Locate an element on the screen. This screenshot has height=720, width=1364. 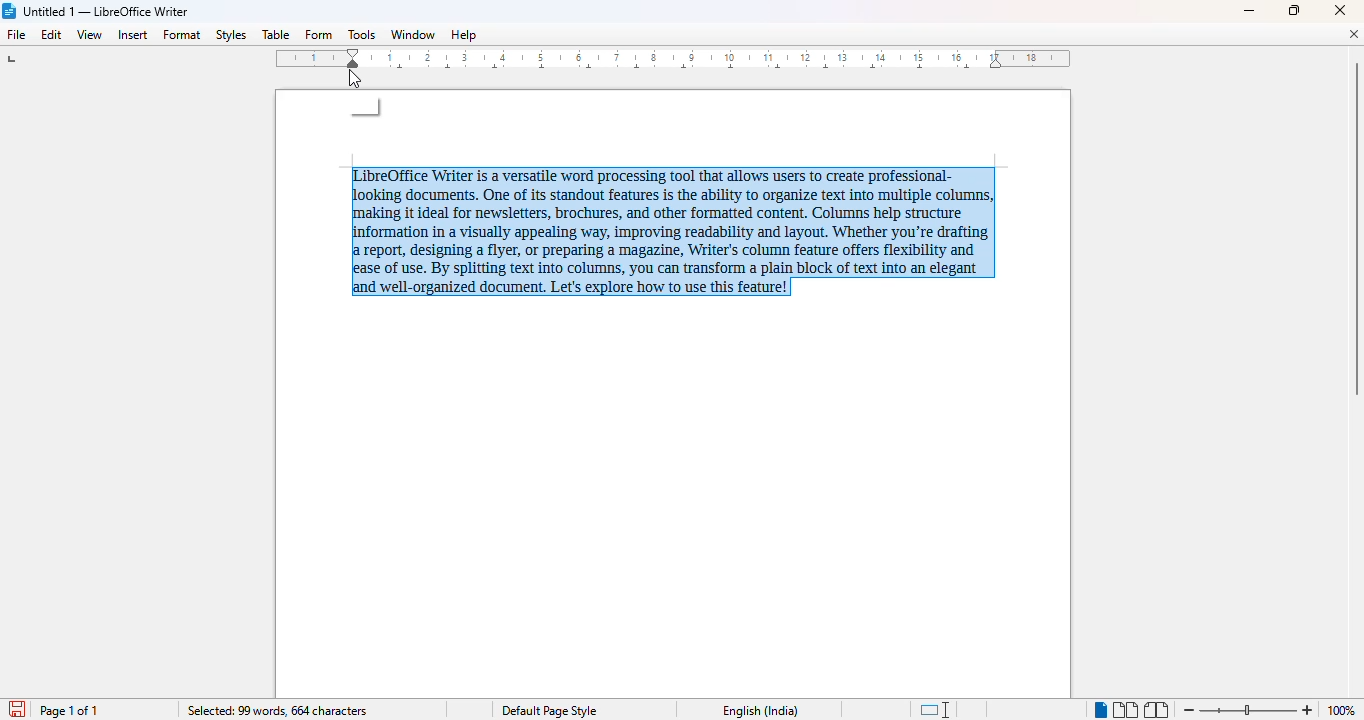
ruler is located at coordinates (675, 59).